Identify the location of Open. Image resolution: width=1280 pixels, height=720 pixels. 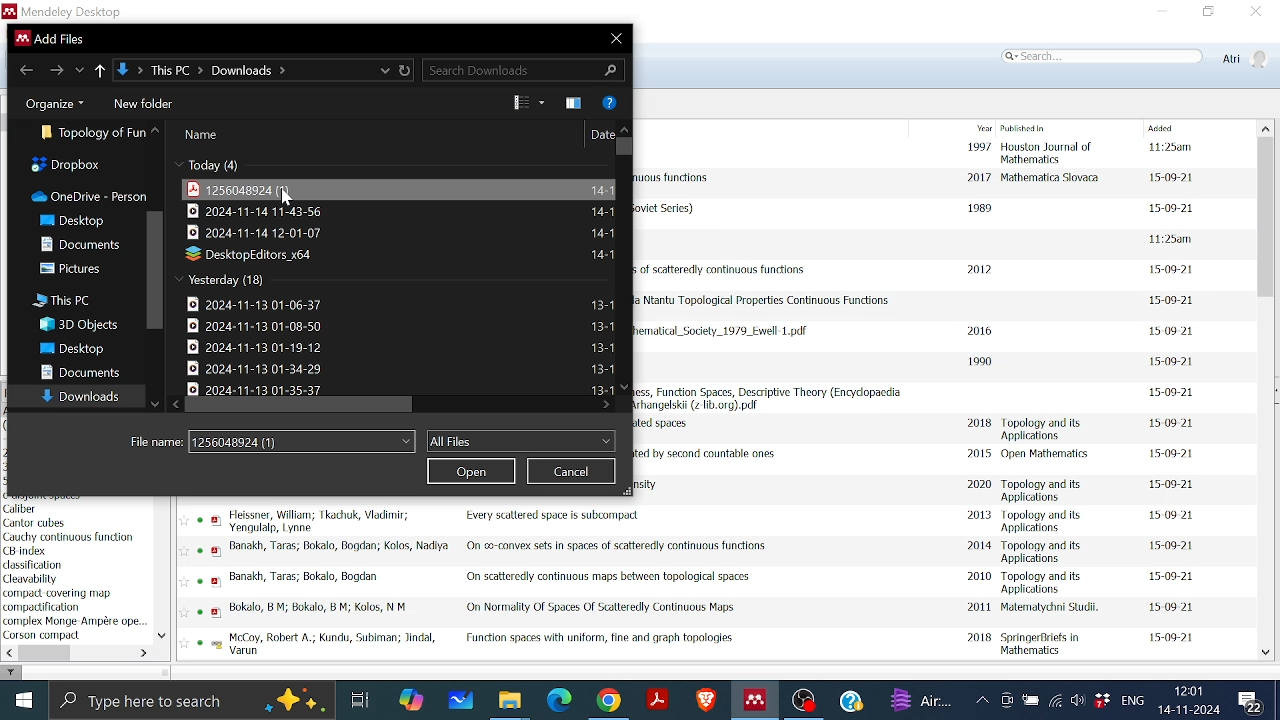
(471, 470).